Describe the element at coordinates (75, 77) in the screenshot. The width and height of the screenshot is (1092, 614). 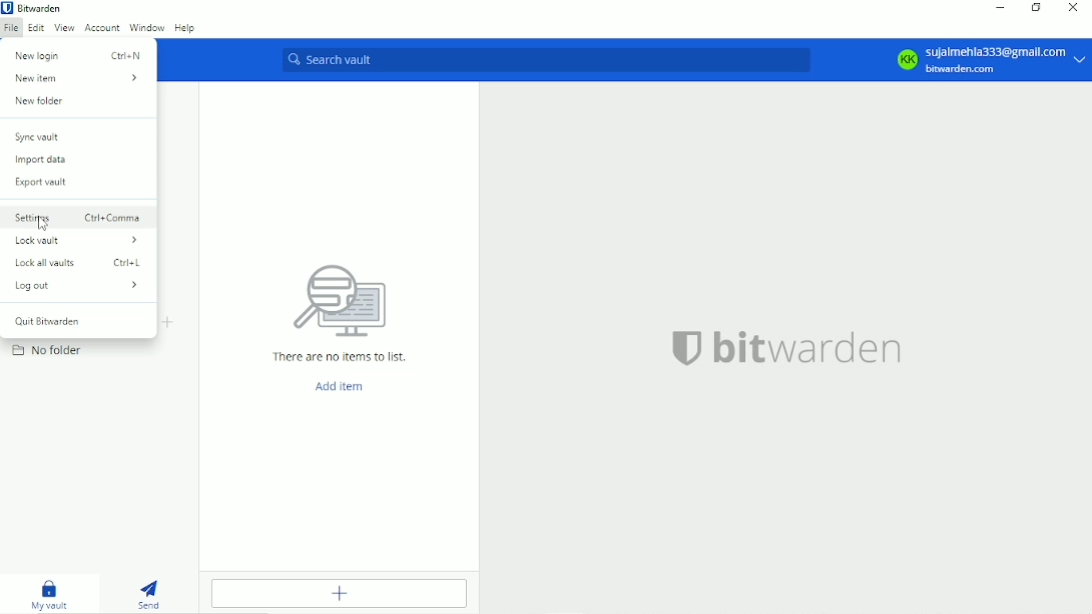
I see `New item` at that location.